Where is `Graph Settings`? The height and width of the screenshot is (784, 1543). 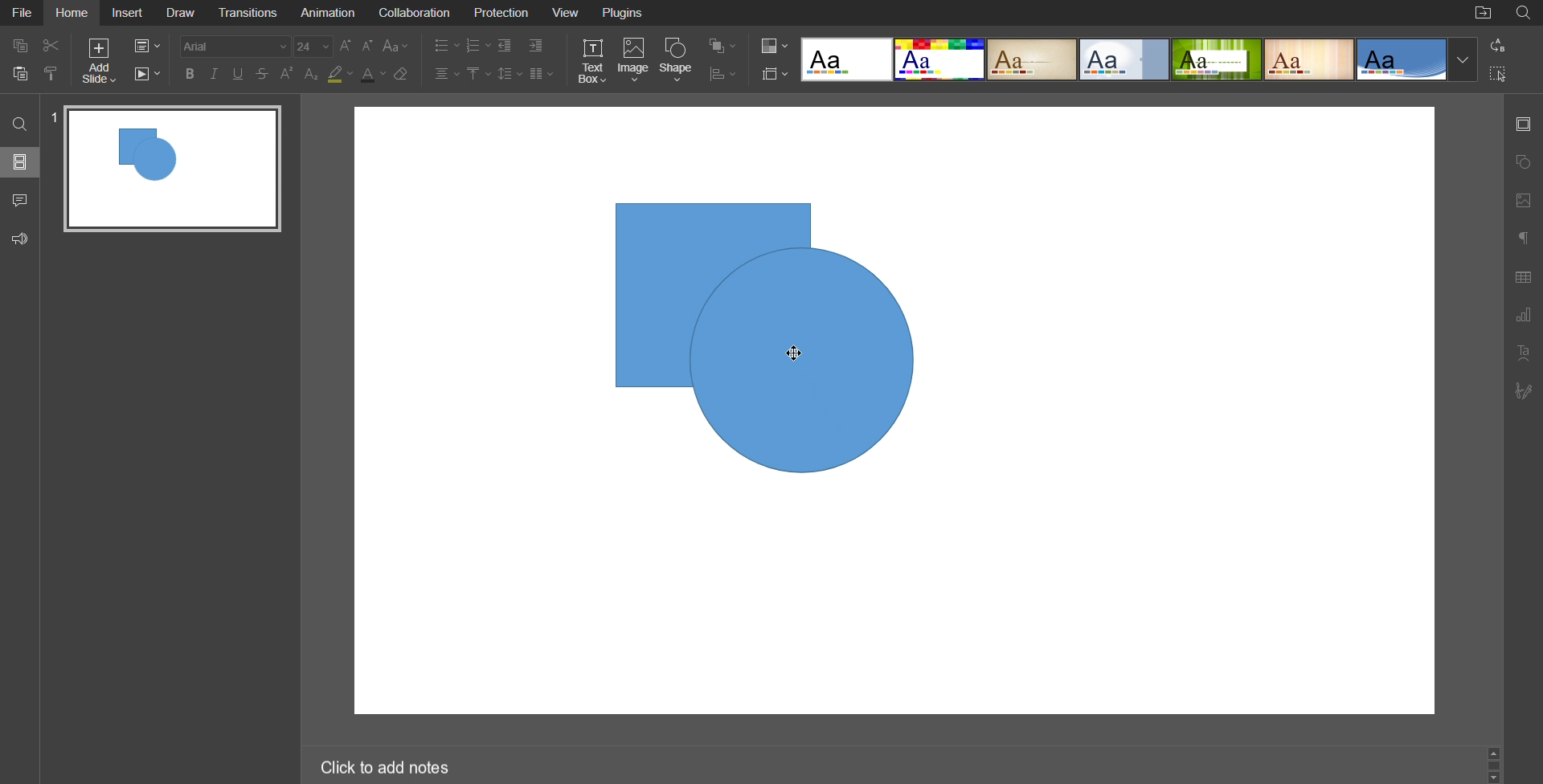
Graph Settings is located at coordinates (1524, 316).